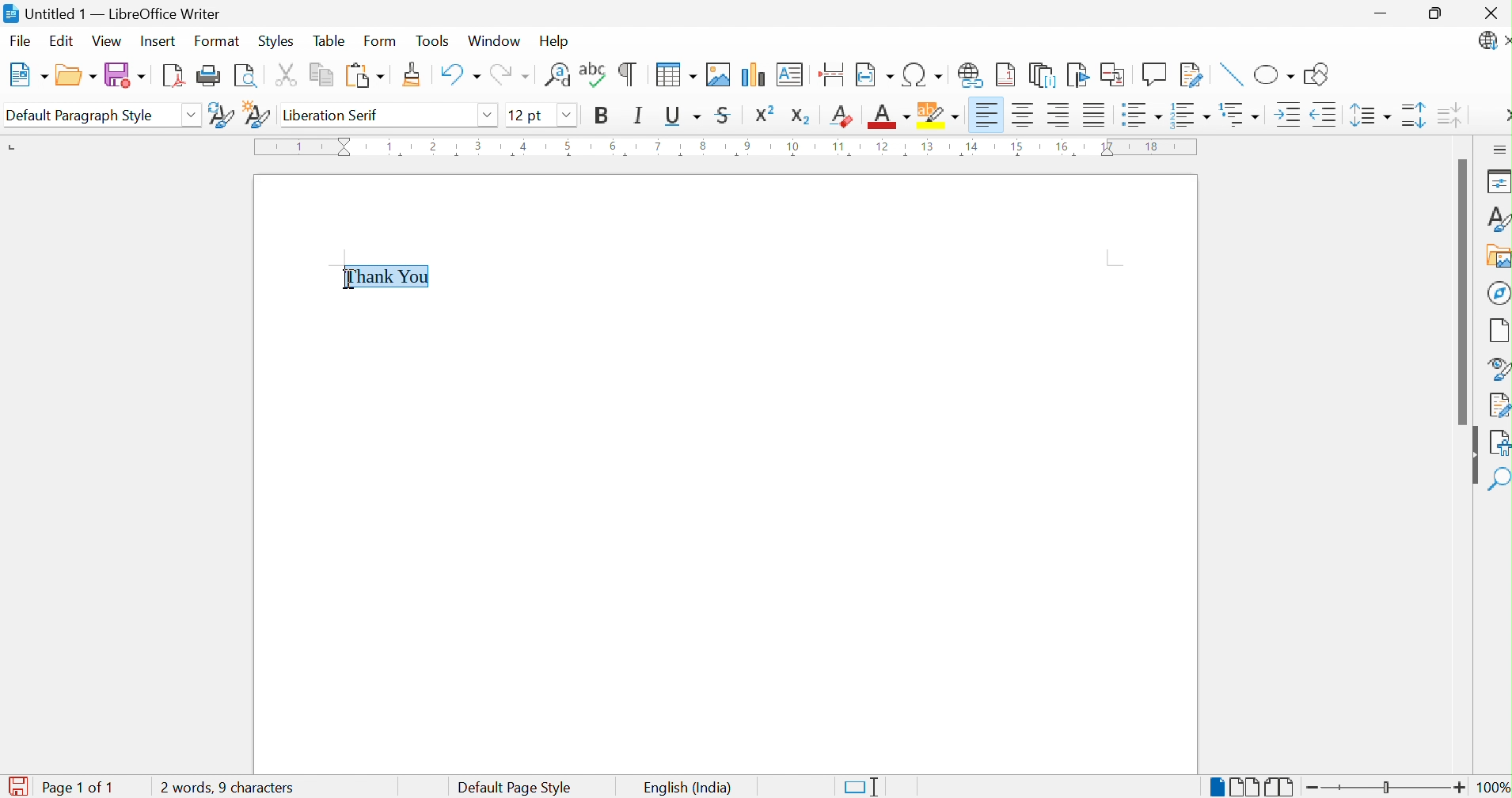 The height and width of the screenshot is (798, 1512). Describe the element at coordinates (1499, 149) in the screenshot. I see `Sidebar Settings` at that location.